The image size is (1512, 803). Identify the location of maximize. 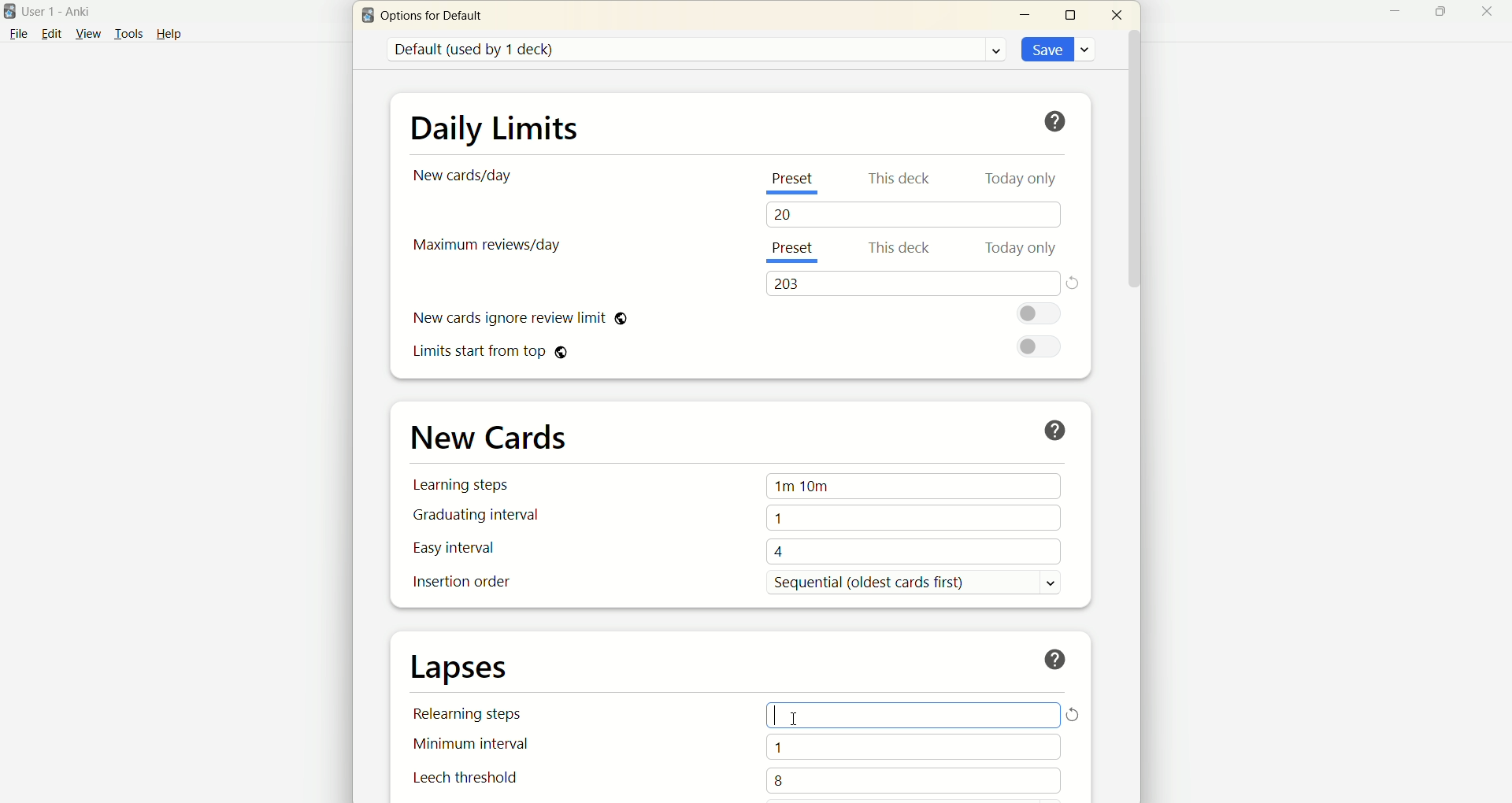
(1434, 11).